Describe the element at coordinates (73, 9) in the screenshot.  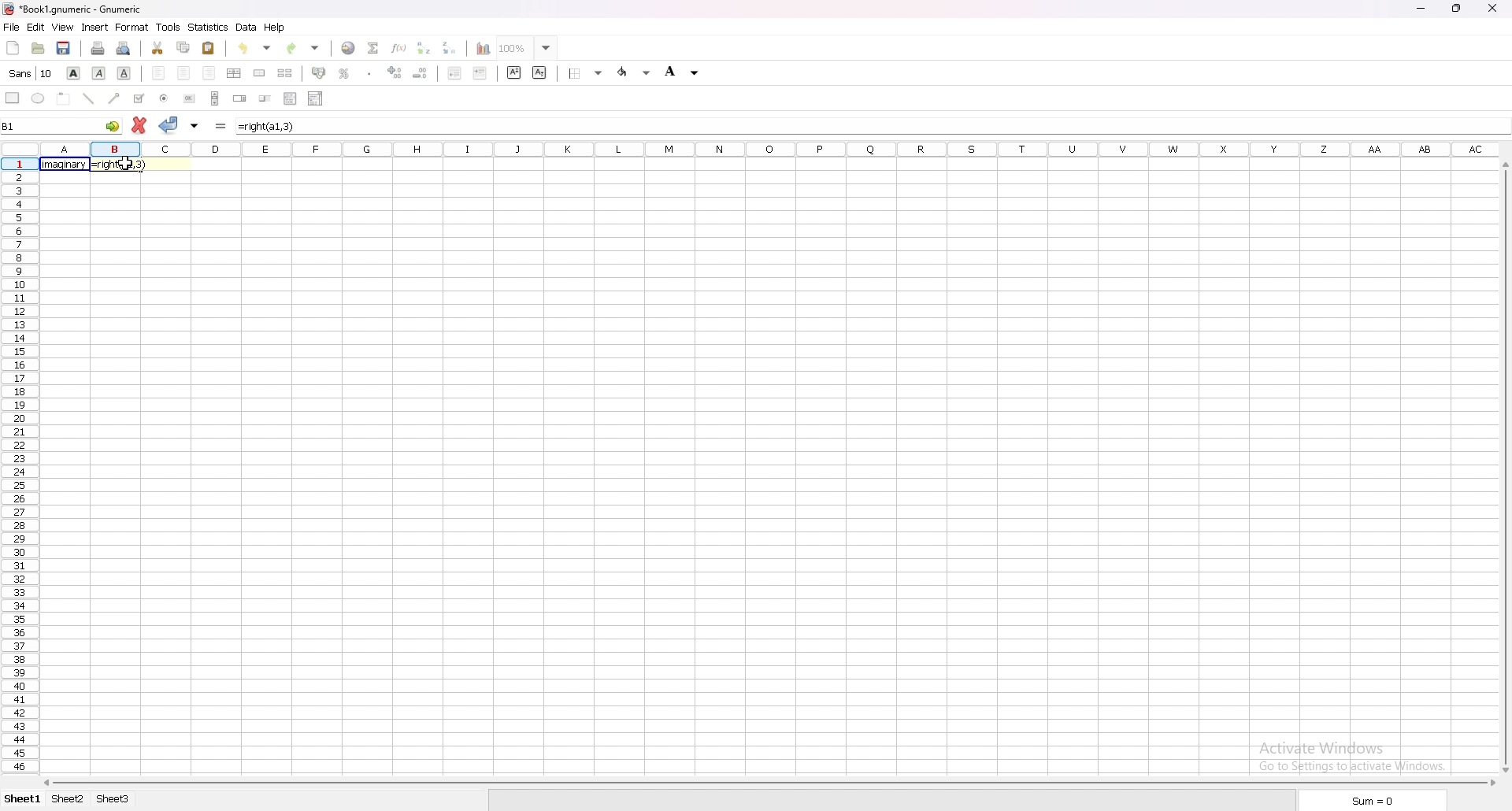
I see `file name` at that location.